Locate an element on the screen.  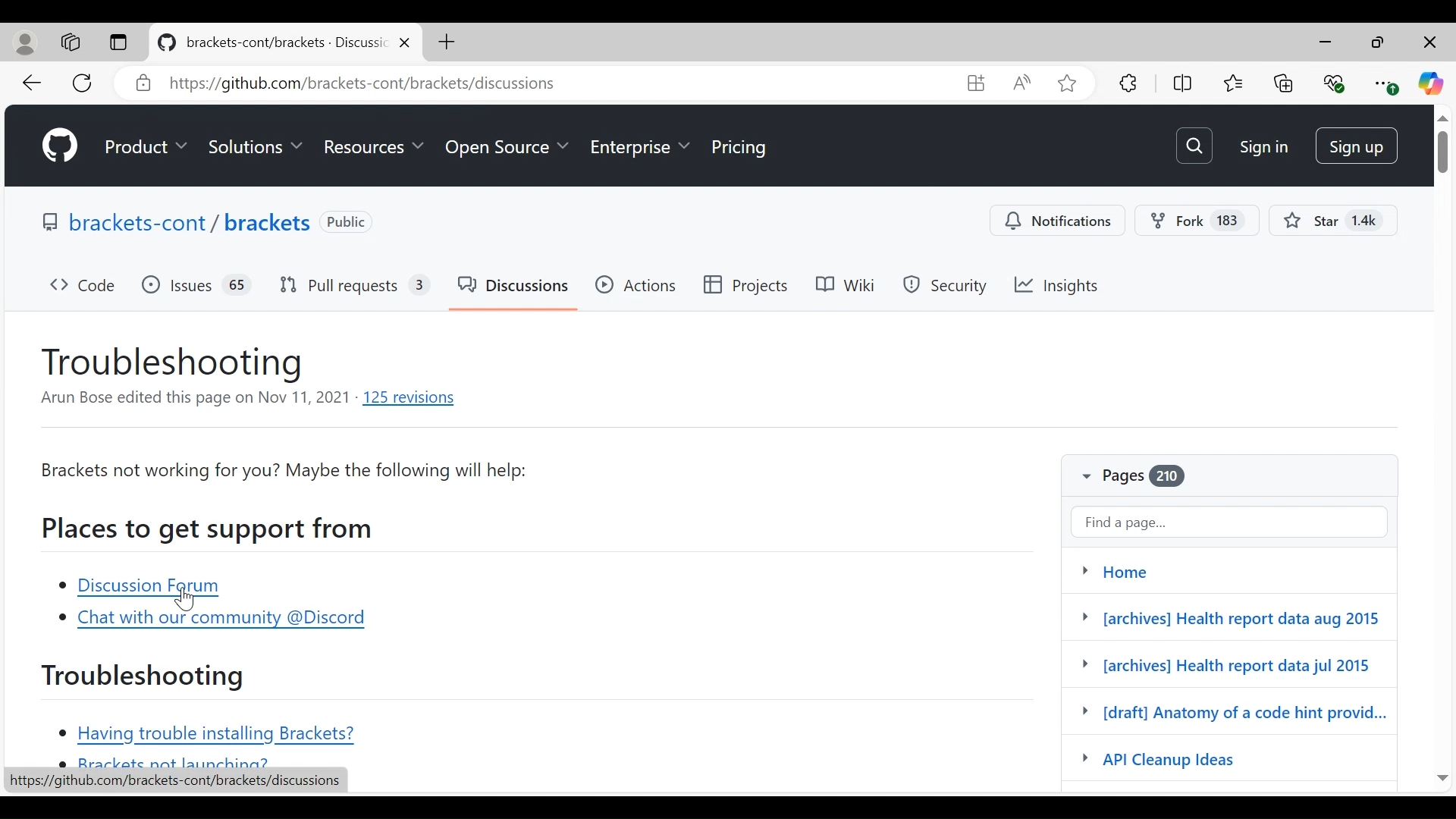
Browser essentials is located at coordinates (1336, 83).